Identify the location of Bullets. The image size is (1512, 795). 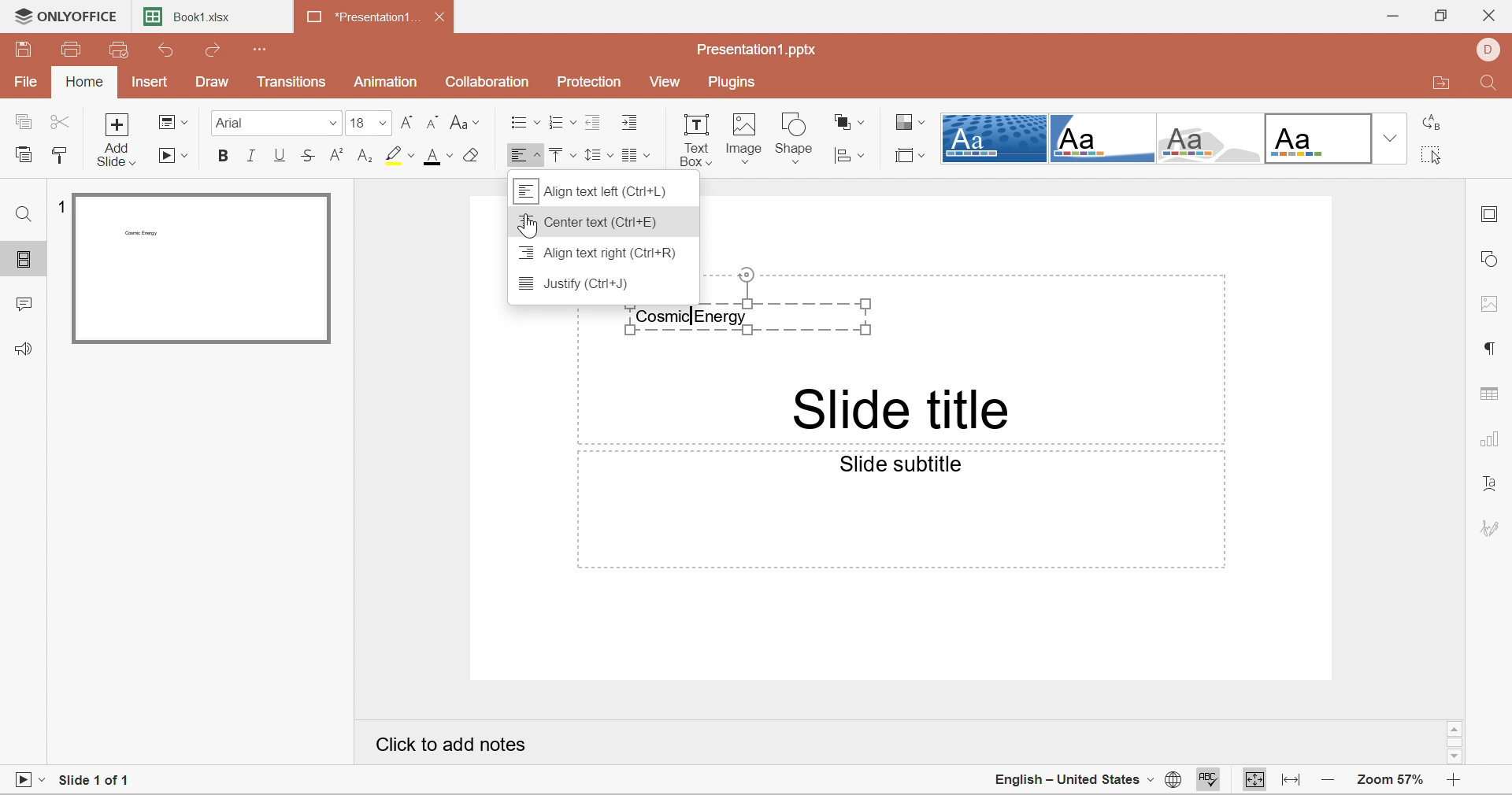
(521, 123).